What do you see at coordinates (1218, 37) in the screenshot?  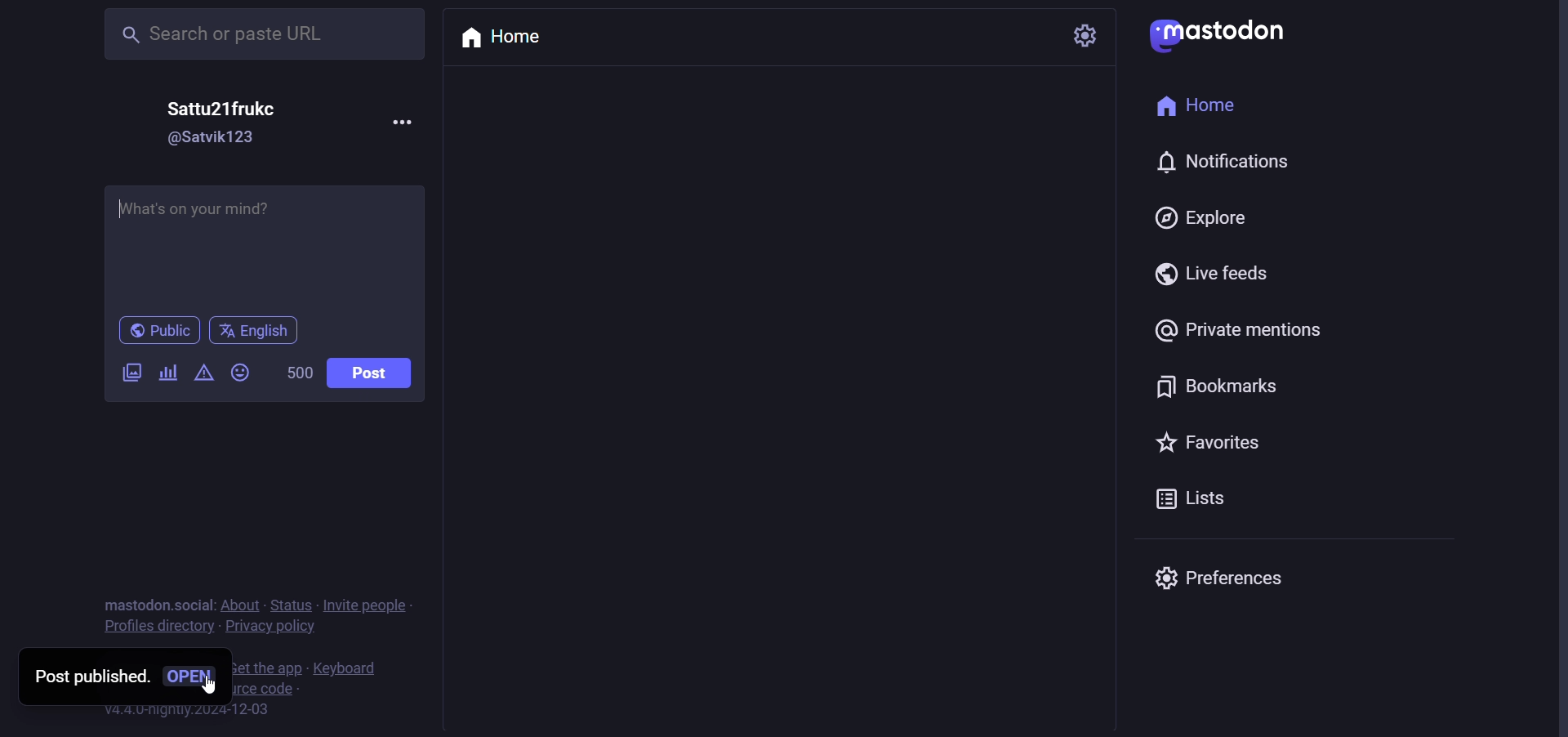 I see `mastodon` at bounding box center [1218, 37].